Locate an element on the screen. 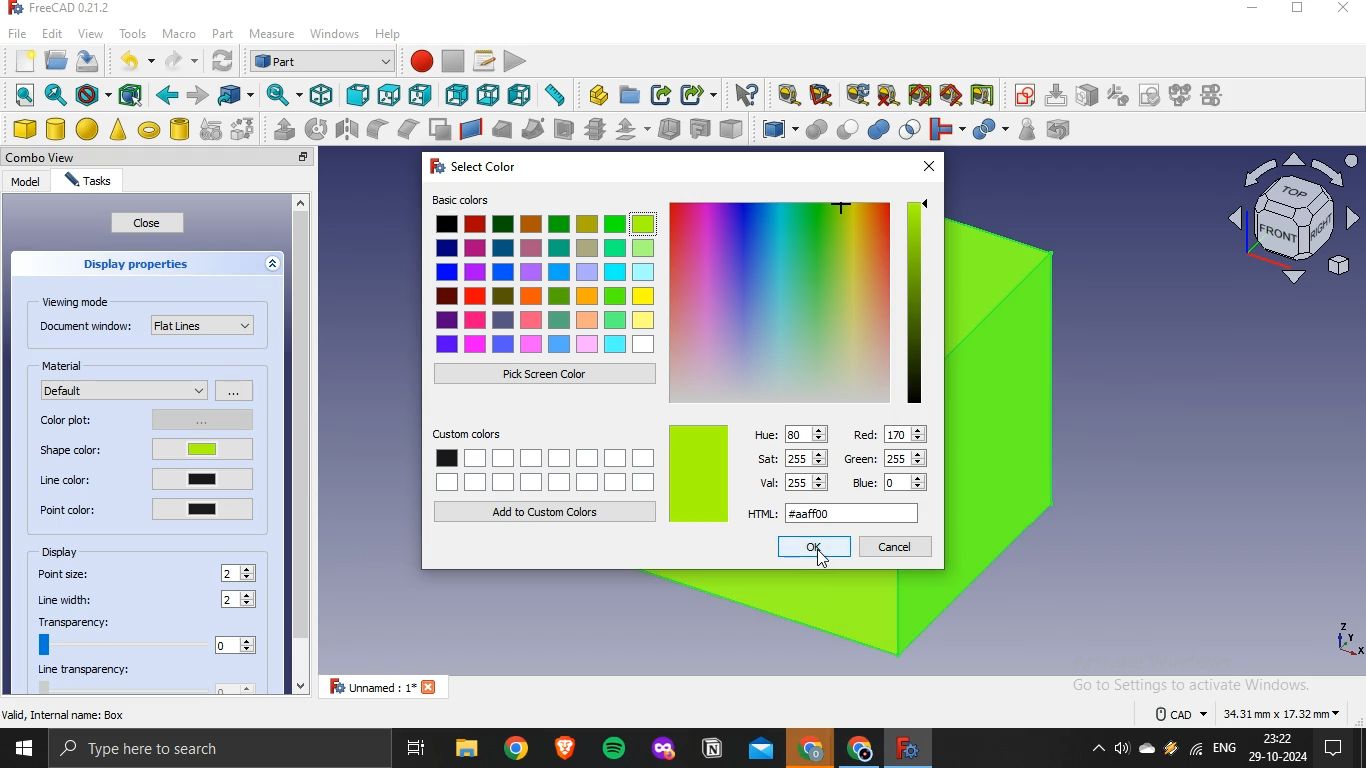 The width and height of the screenshot is (1366, 768). cancel is located at coordinates (895, 546).